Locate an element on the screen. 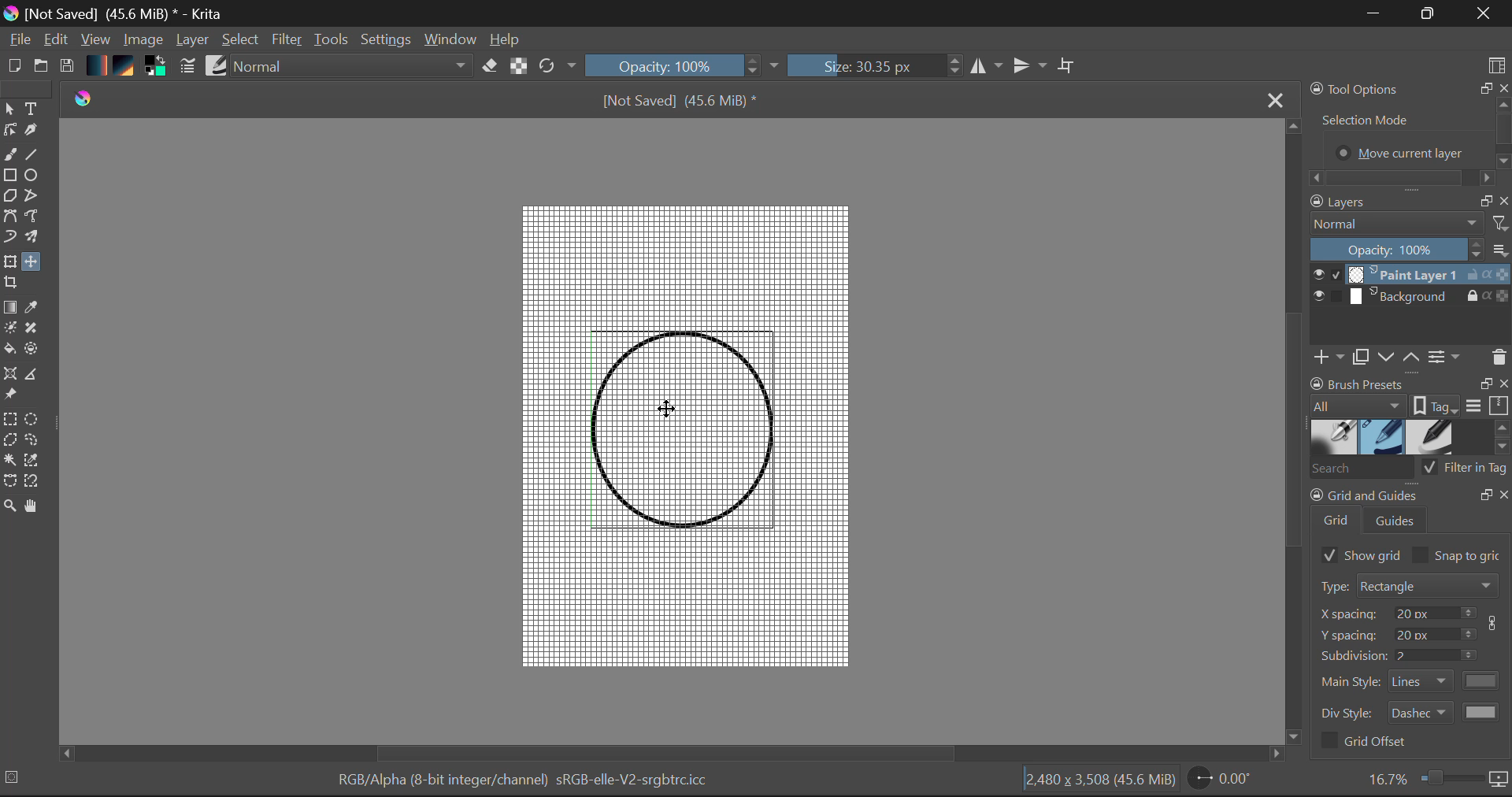 The height and width of the screenshot is (797, 1512). Bezier Curve is located at coordinates (9, 218).